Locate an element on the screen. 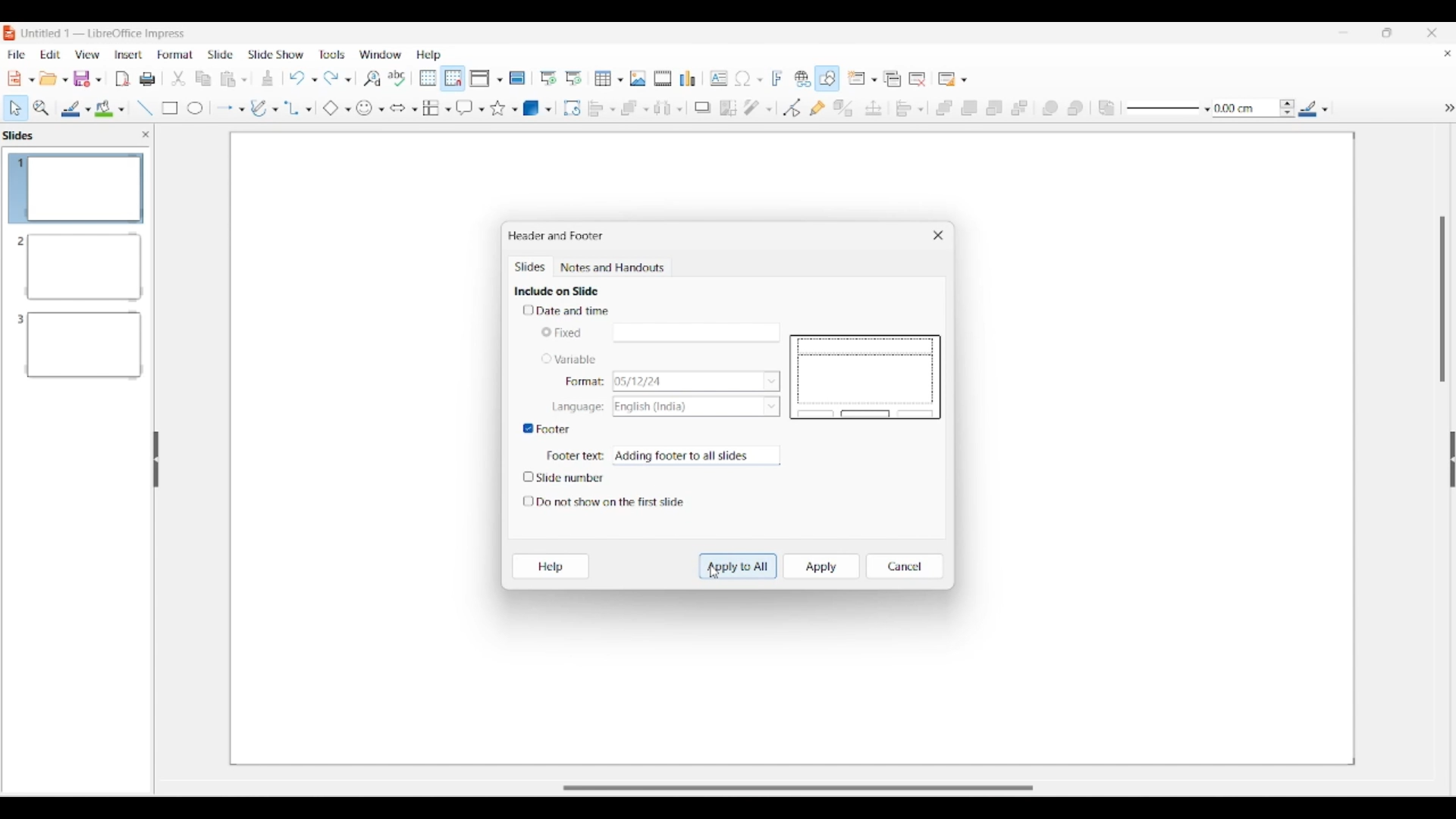 The width and height of the screenshot is (1456, 819). View menu is located at coordinates (88, 55).